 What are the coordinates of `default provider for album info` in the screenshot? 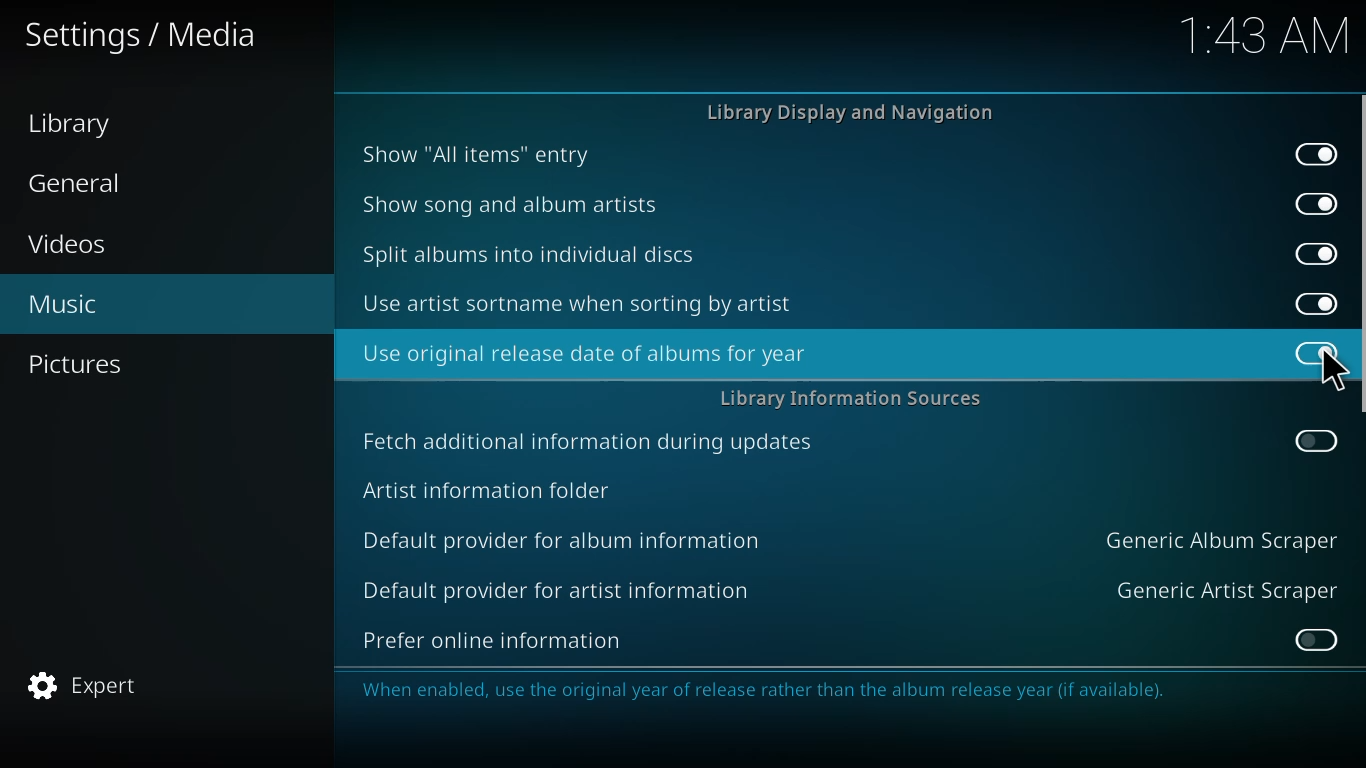 It's located at (566, 538).